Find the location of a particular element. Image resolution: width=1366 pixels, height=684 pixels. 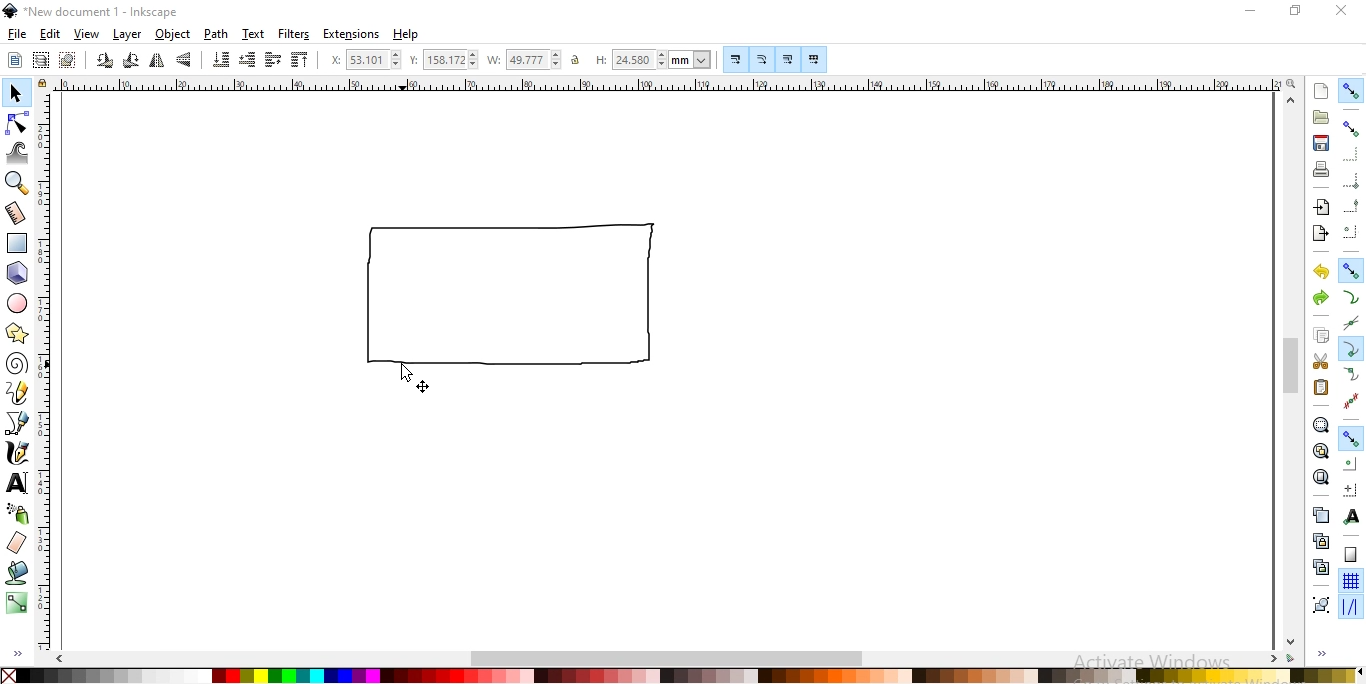

draw bezier curves and straight lines is located at coordinates (18, 423).